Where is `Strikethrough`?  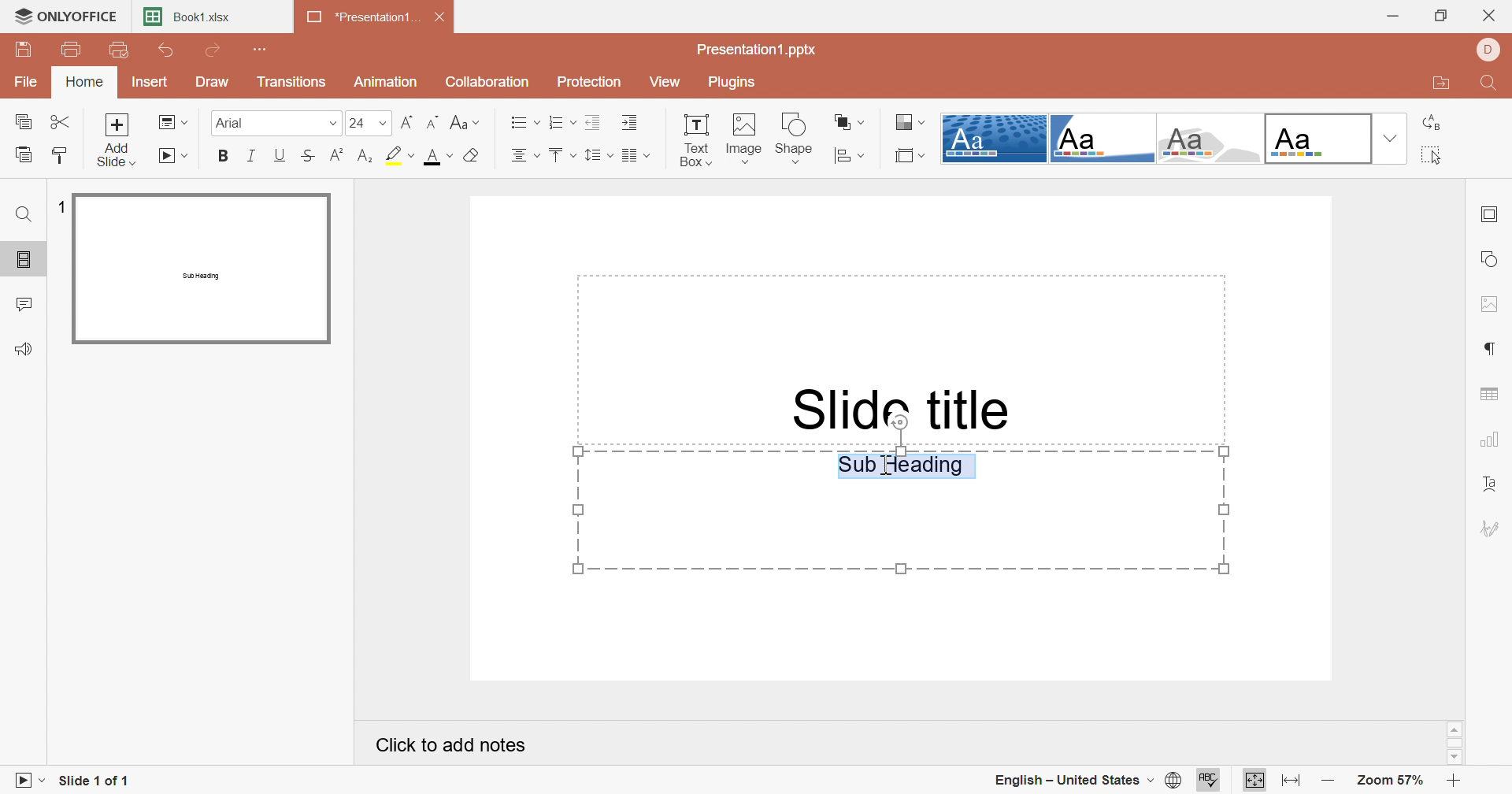
Strikethrough is located at coordinates (309, 155).